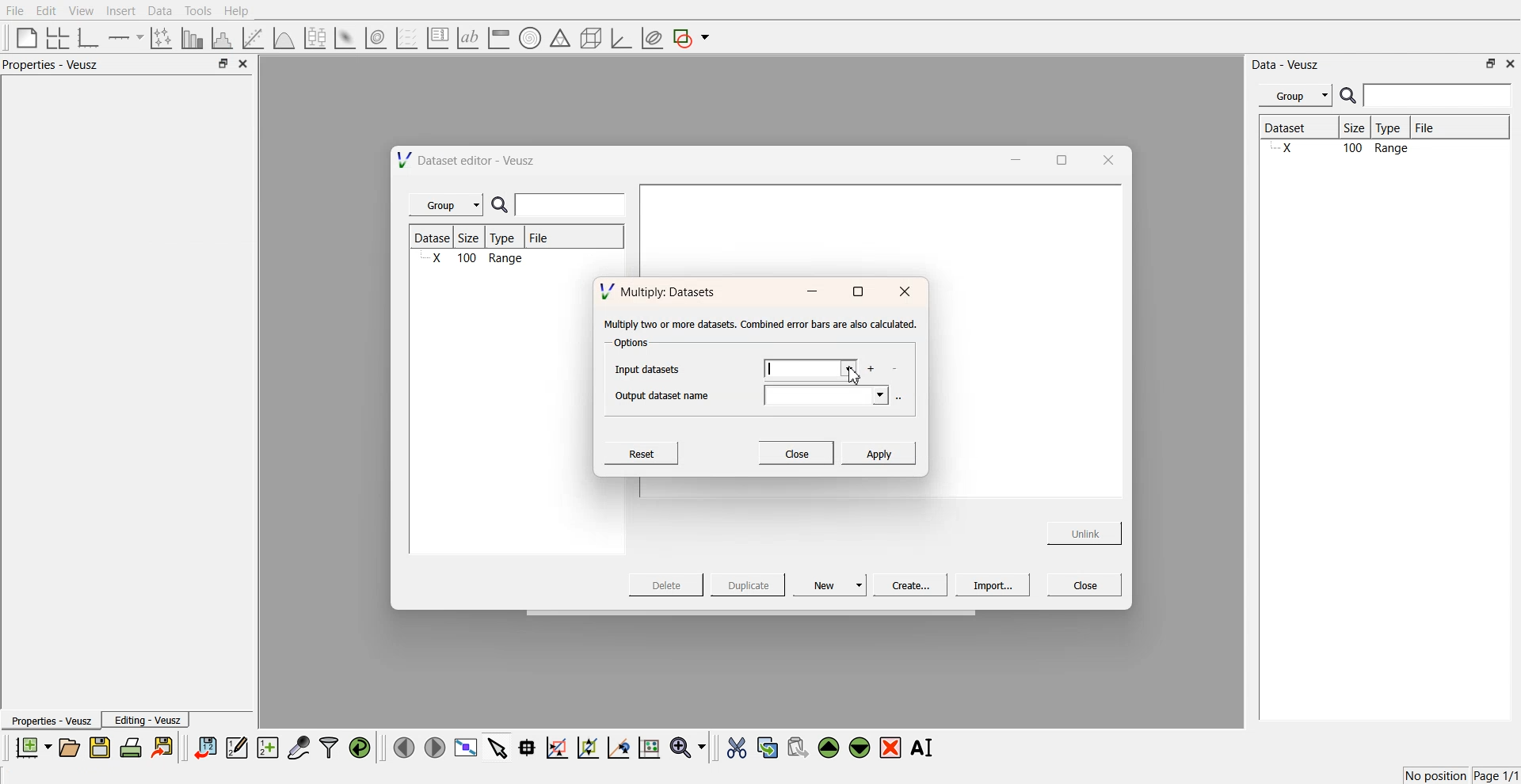  I want to click on plot points with non-orthogonal axes, so click(160, 37).